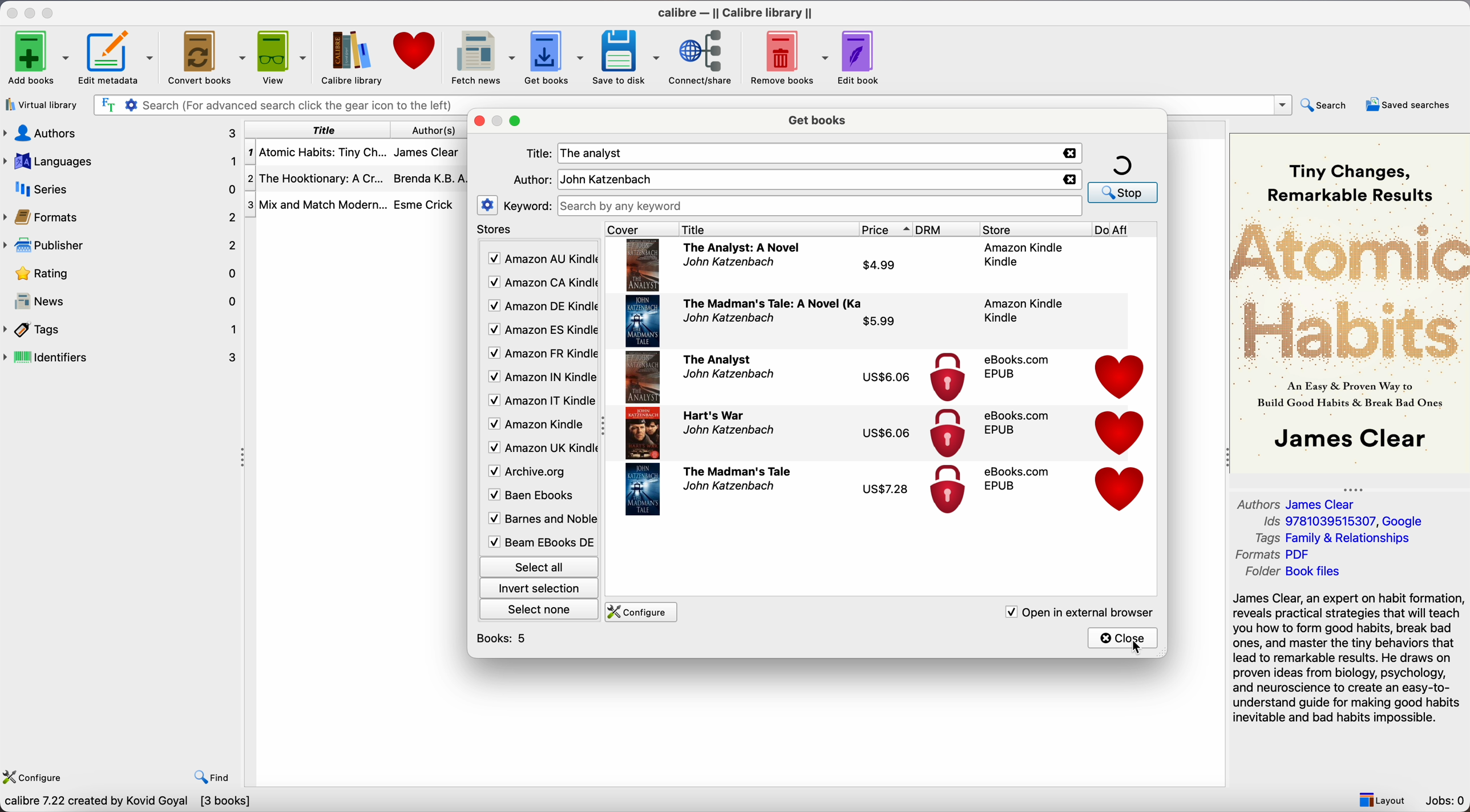  Describe the element at coordinates (773, 302) in the screenshot. I see `The Madman's Tale: A Novel (ka` at that location.